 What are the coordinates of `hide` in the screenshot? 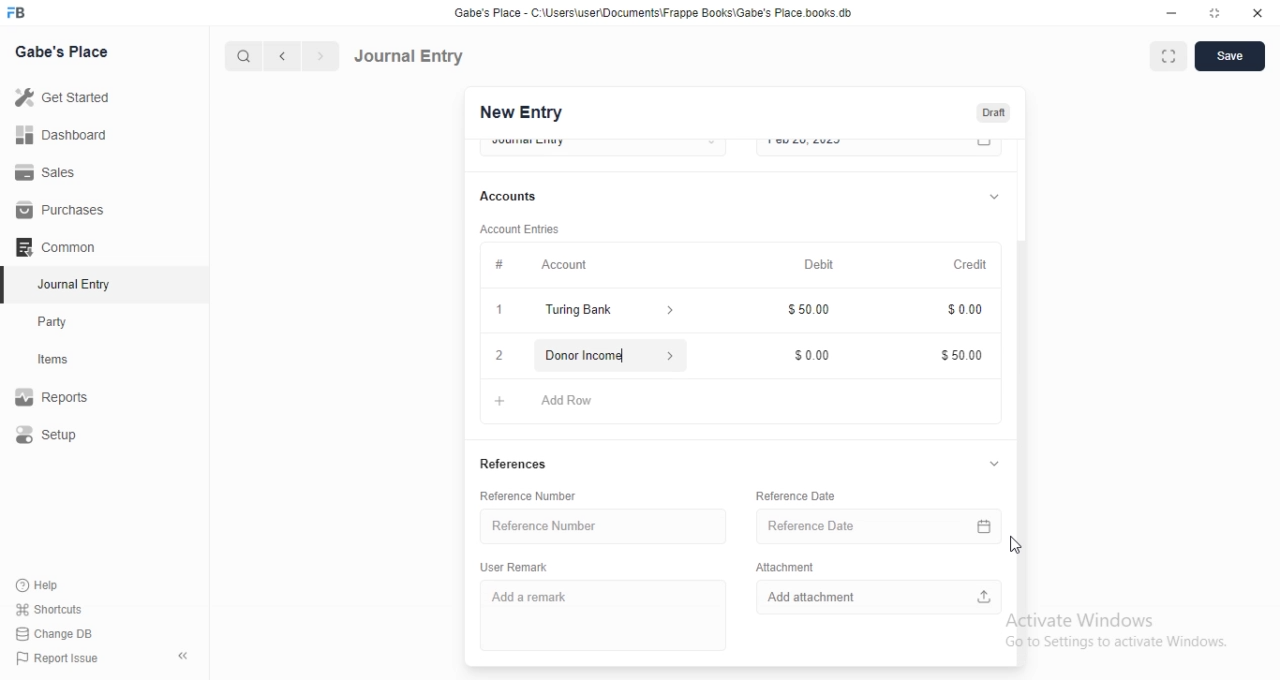 It's located at (179, 657).